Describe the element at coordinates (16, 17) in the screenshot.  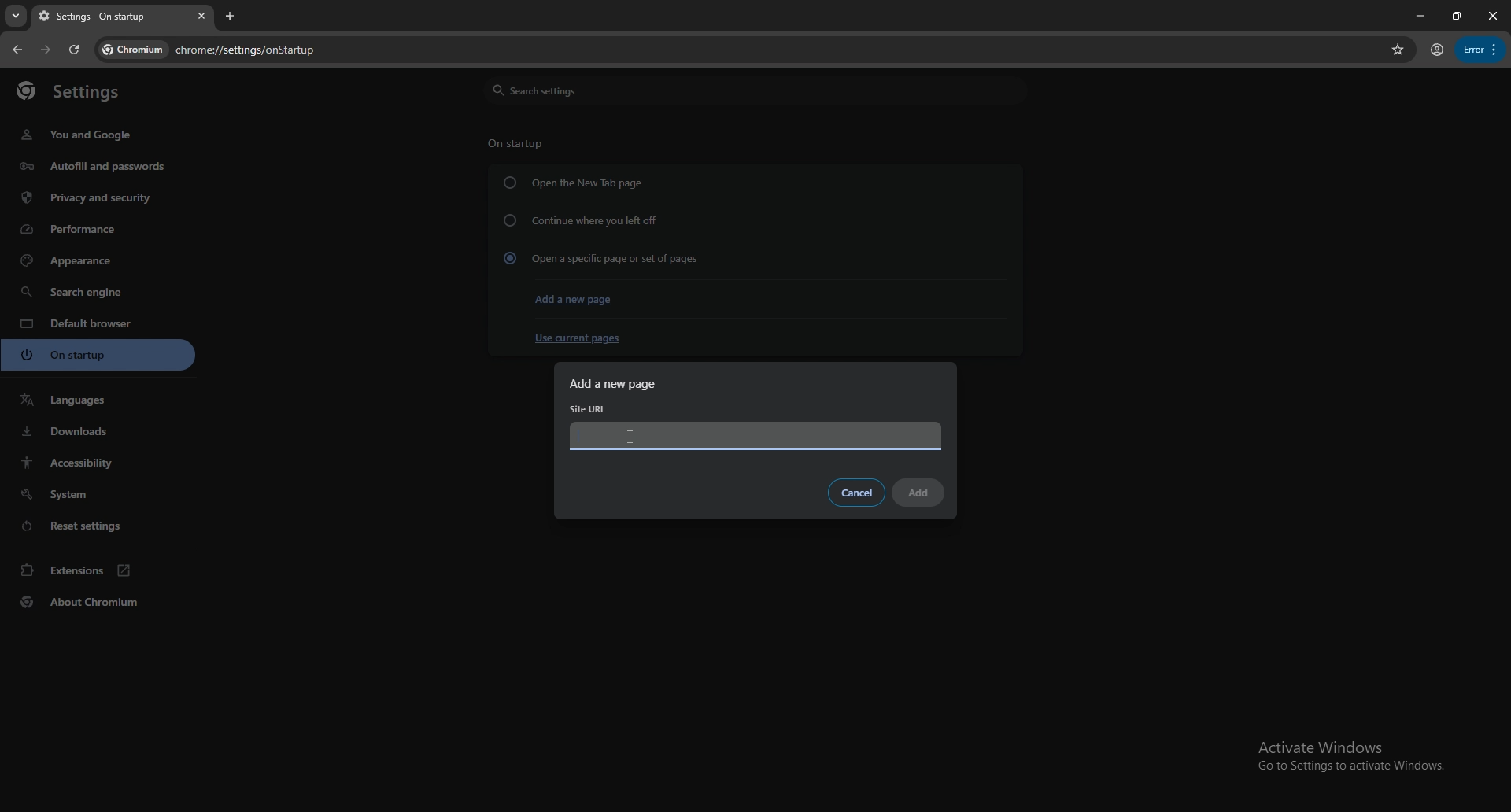
I see `search tabs` at that location.